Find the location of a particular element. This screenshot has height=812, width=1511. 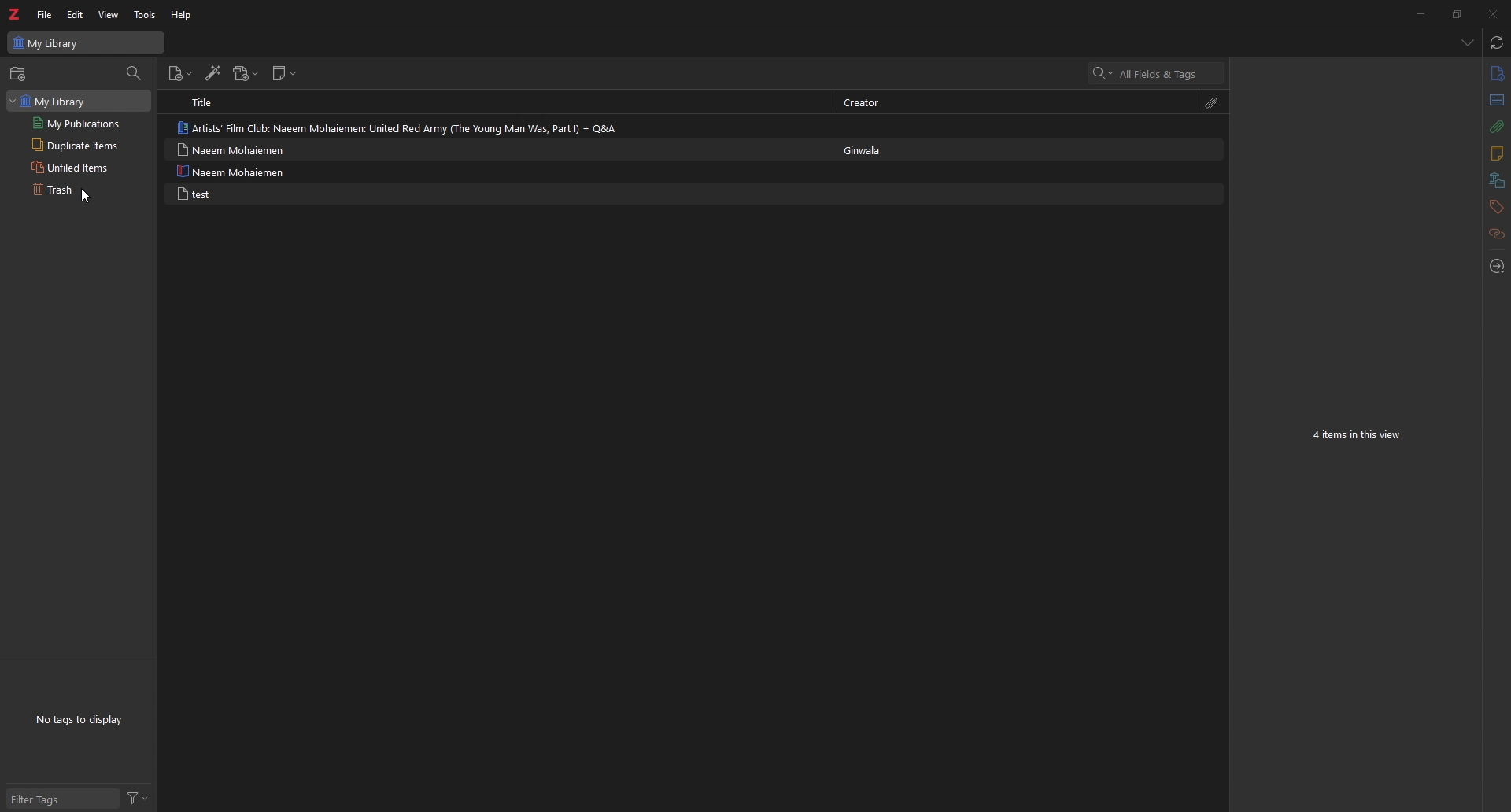

note is located at coordinates (240, 193).